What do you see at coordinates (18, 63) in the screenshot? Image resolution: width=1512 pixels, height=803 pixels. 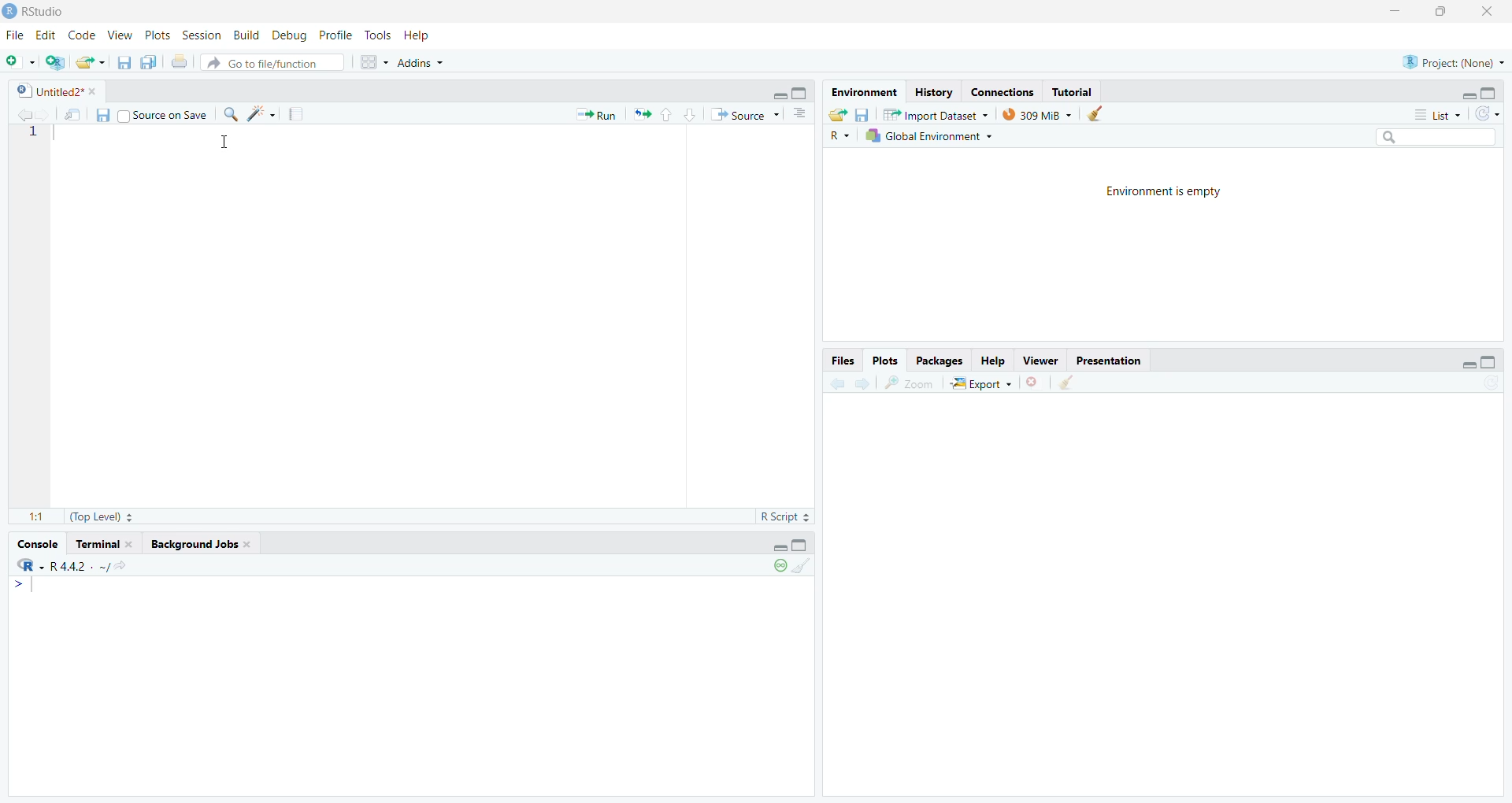 I see `add` at bounding box center [18, 63].